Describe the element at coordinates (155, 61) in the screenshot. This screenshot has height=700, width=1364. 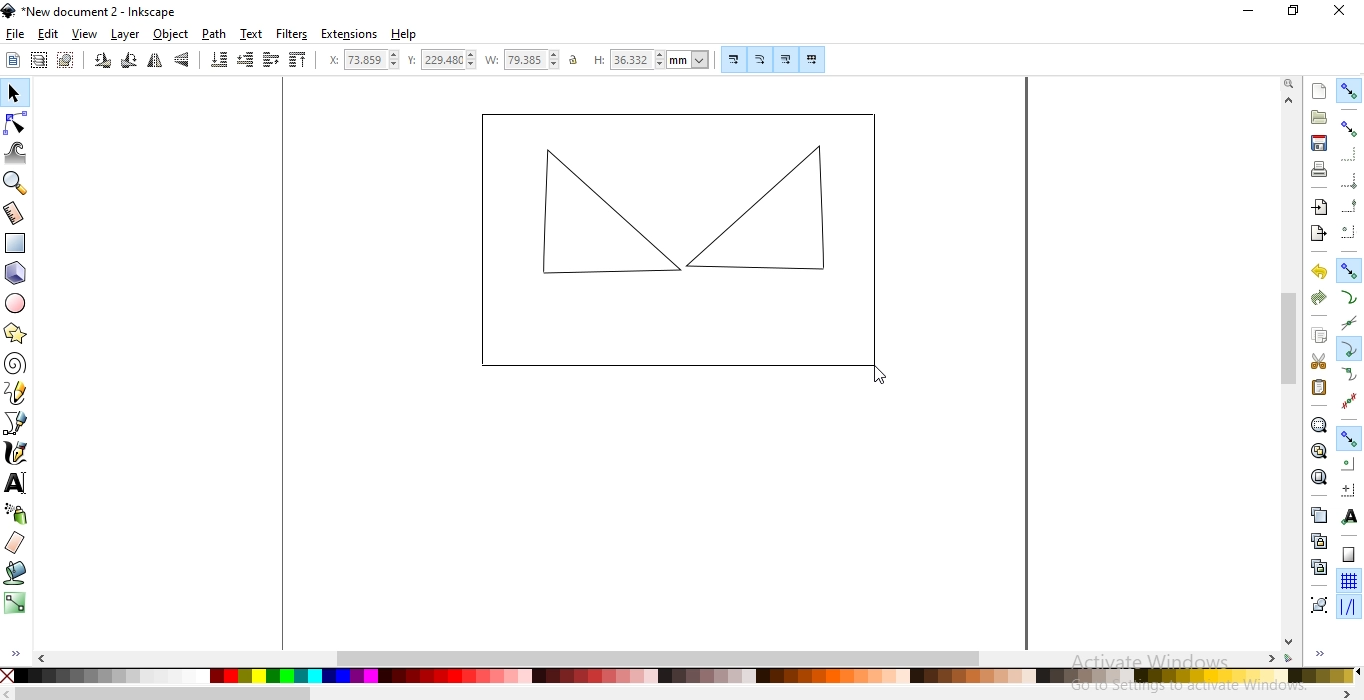
I see `flip horizontally` at that location.